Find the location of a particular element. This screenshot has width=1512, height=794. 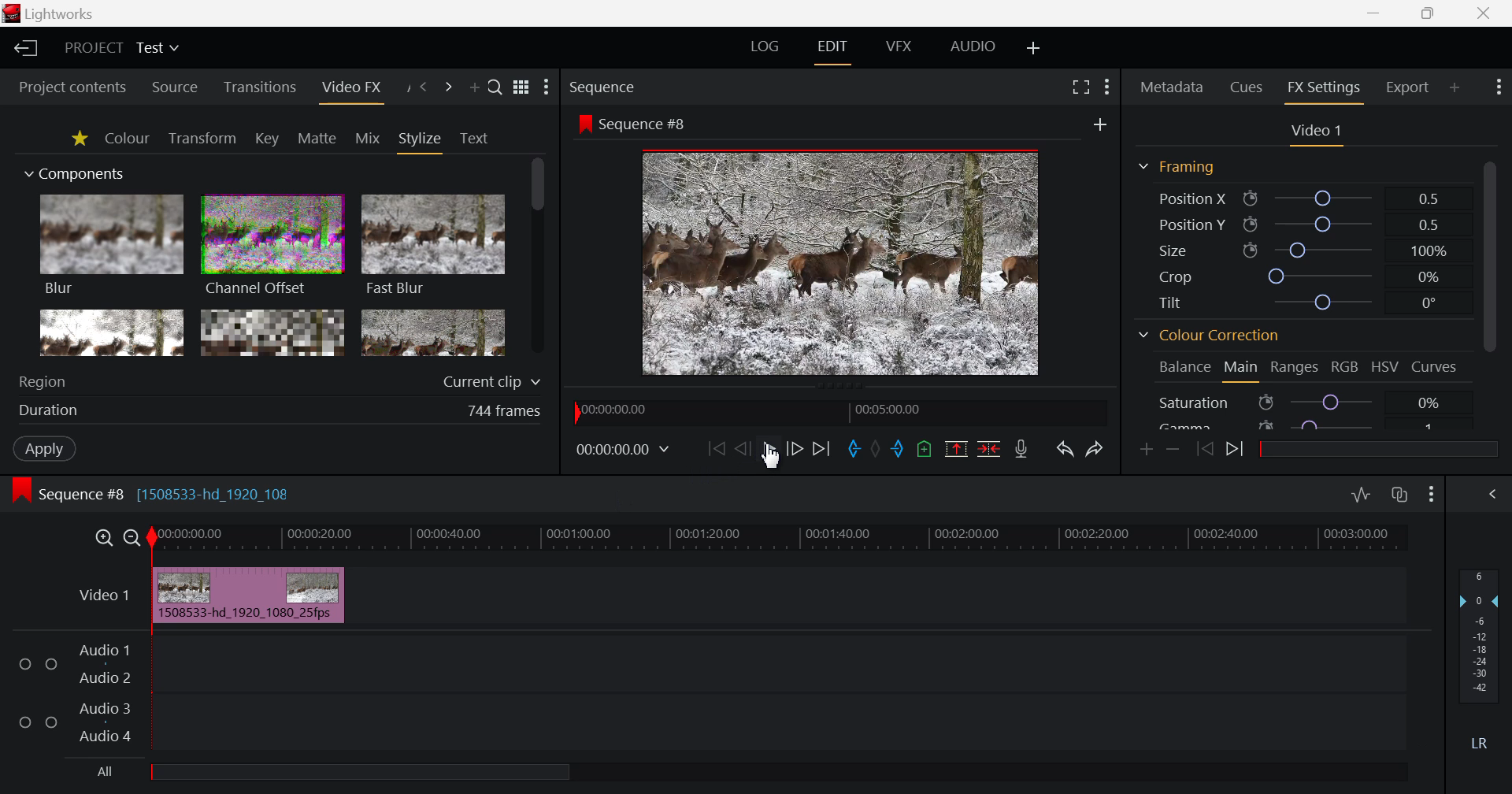

Minimize is located at coordinates (1429, 14).